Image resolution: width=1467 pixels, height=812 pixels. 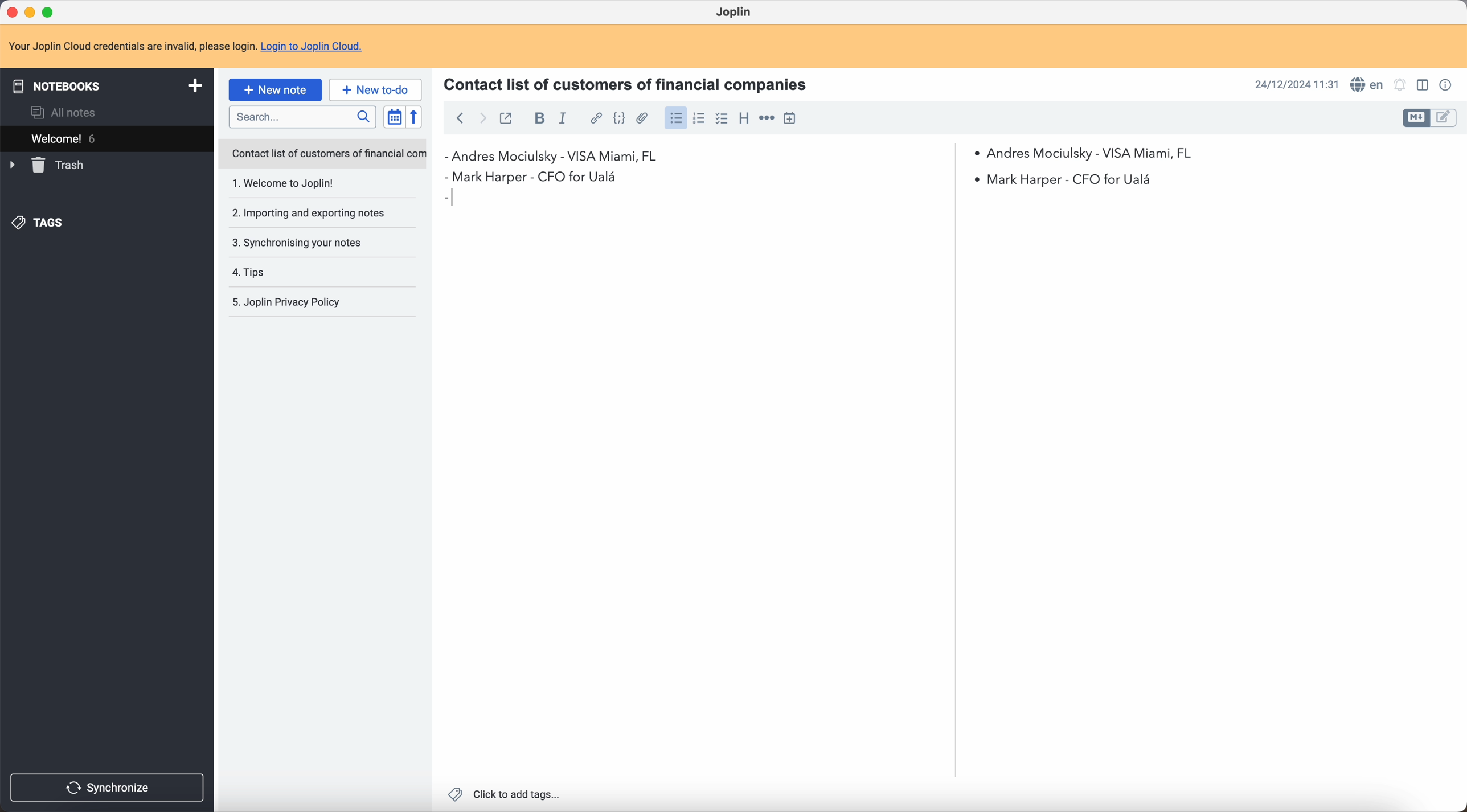 What do you see at coordinates (1205, 485) in the screenshot?
I see `body text` at bounding box center [1205, 485].